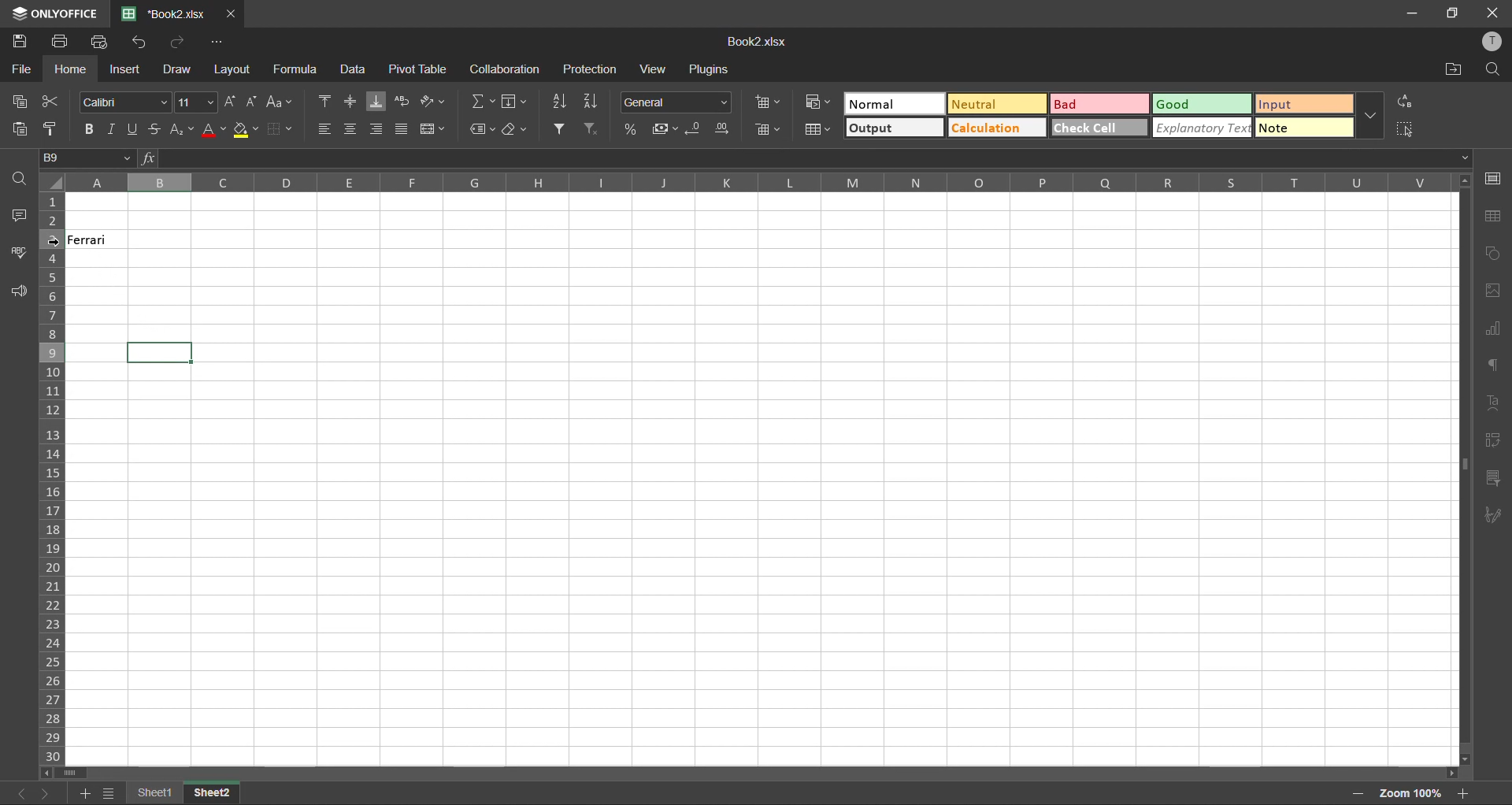 This screenshot has height=805, width=1512. Describe the element at coordinates (769, 131) in the screenshot. I see `delete cells` at that location.